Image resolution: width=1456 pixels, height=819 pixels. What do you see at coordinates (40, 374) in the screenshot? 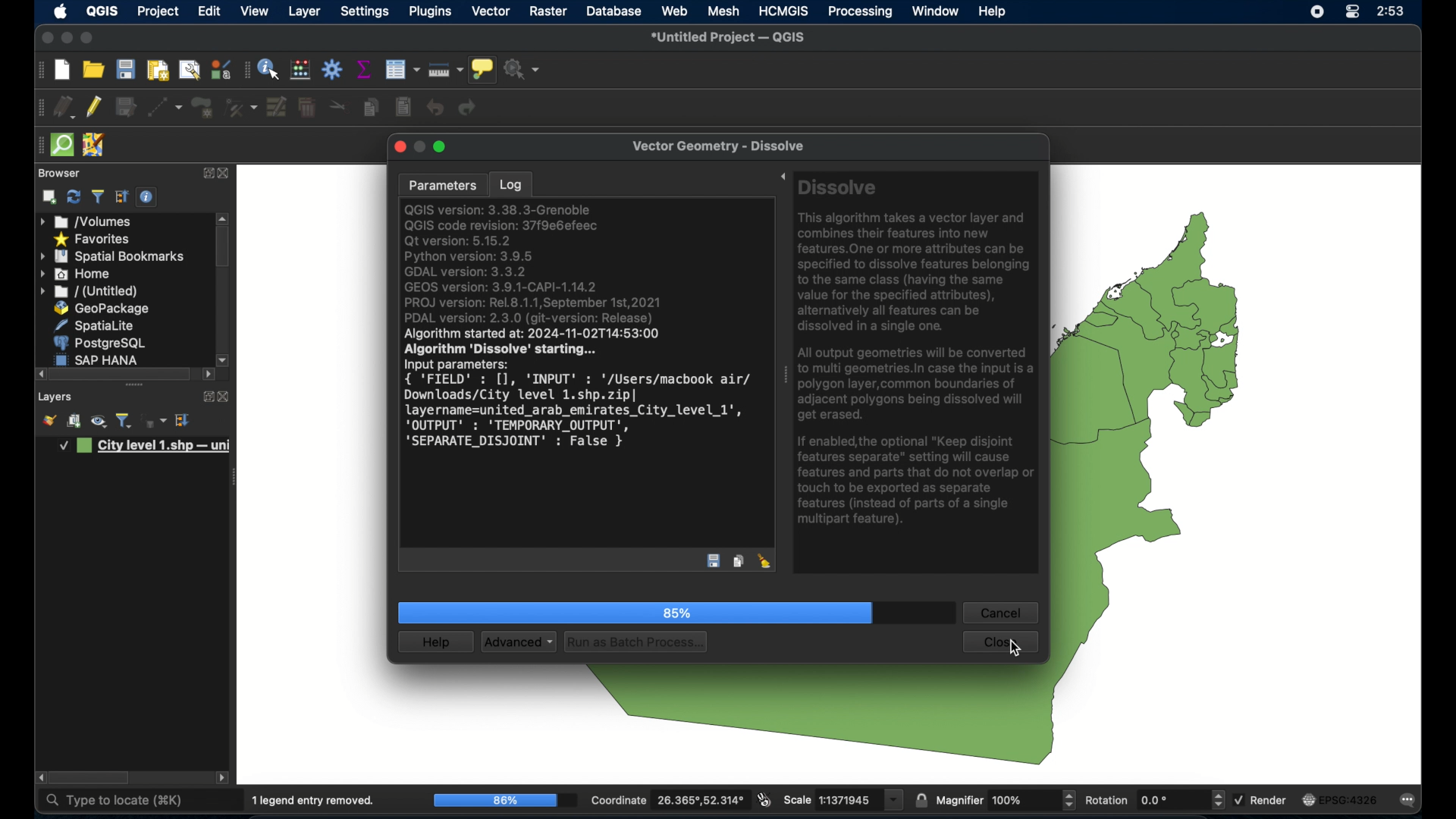
I see `scroll right arrow` at bounding box center [40, 374].